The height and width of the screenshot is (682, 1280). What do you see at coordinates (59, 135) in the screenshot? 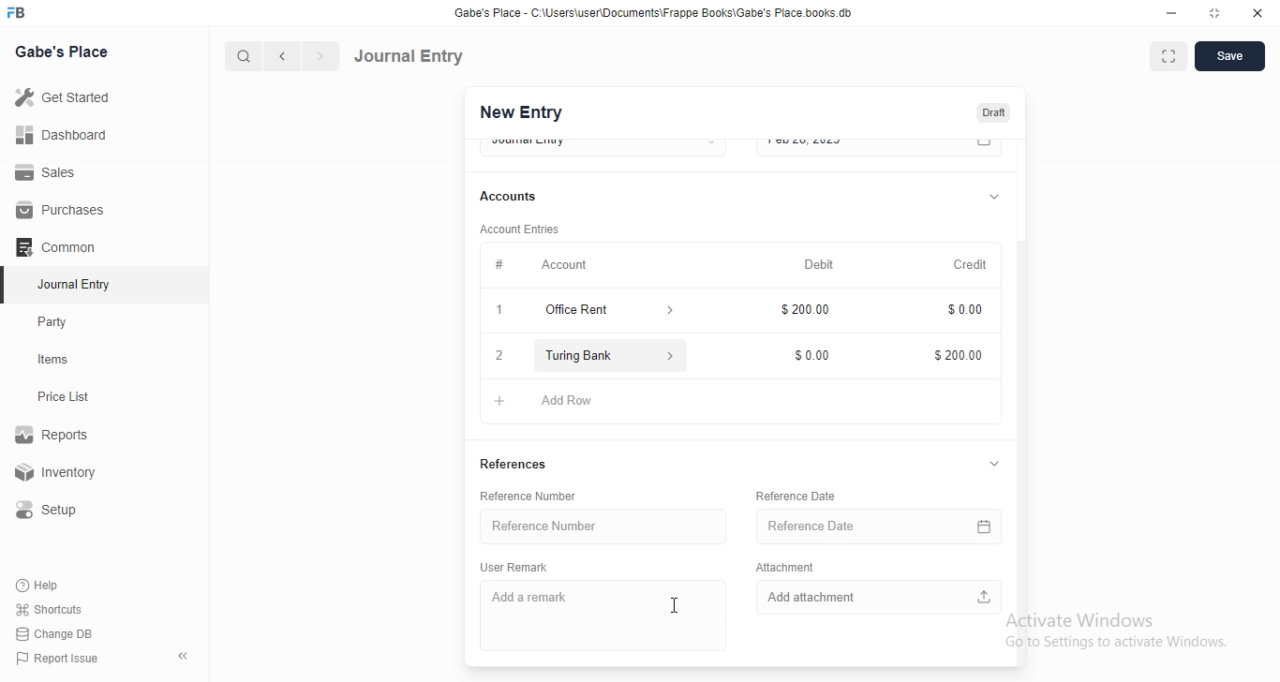
I see `Dashboard` at bounding box center [59, 135].